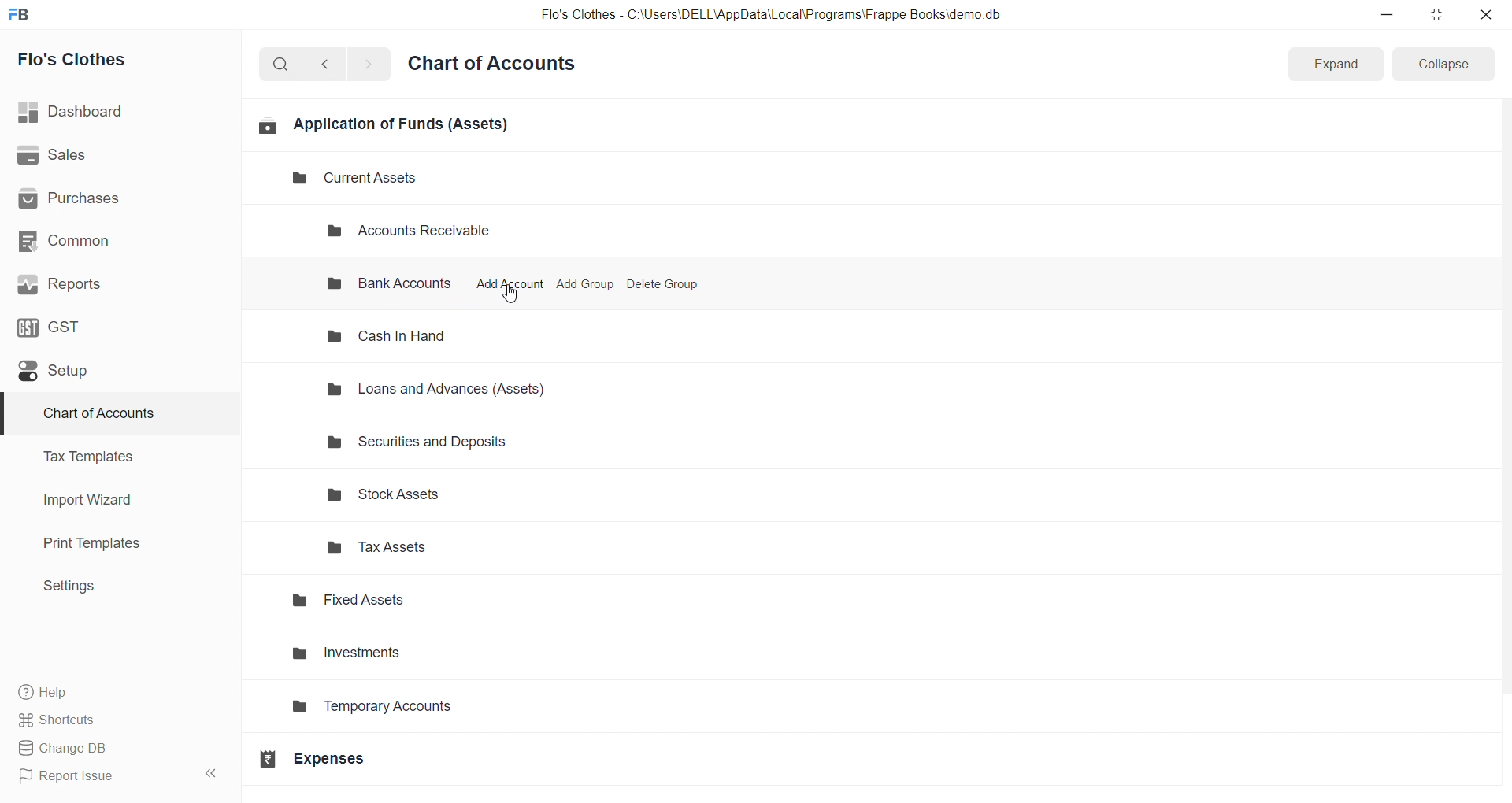  I want to click on Help, so click(114, 691).